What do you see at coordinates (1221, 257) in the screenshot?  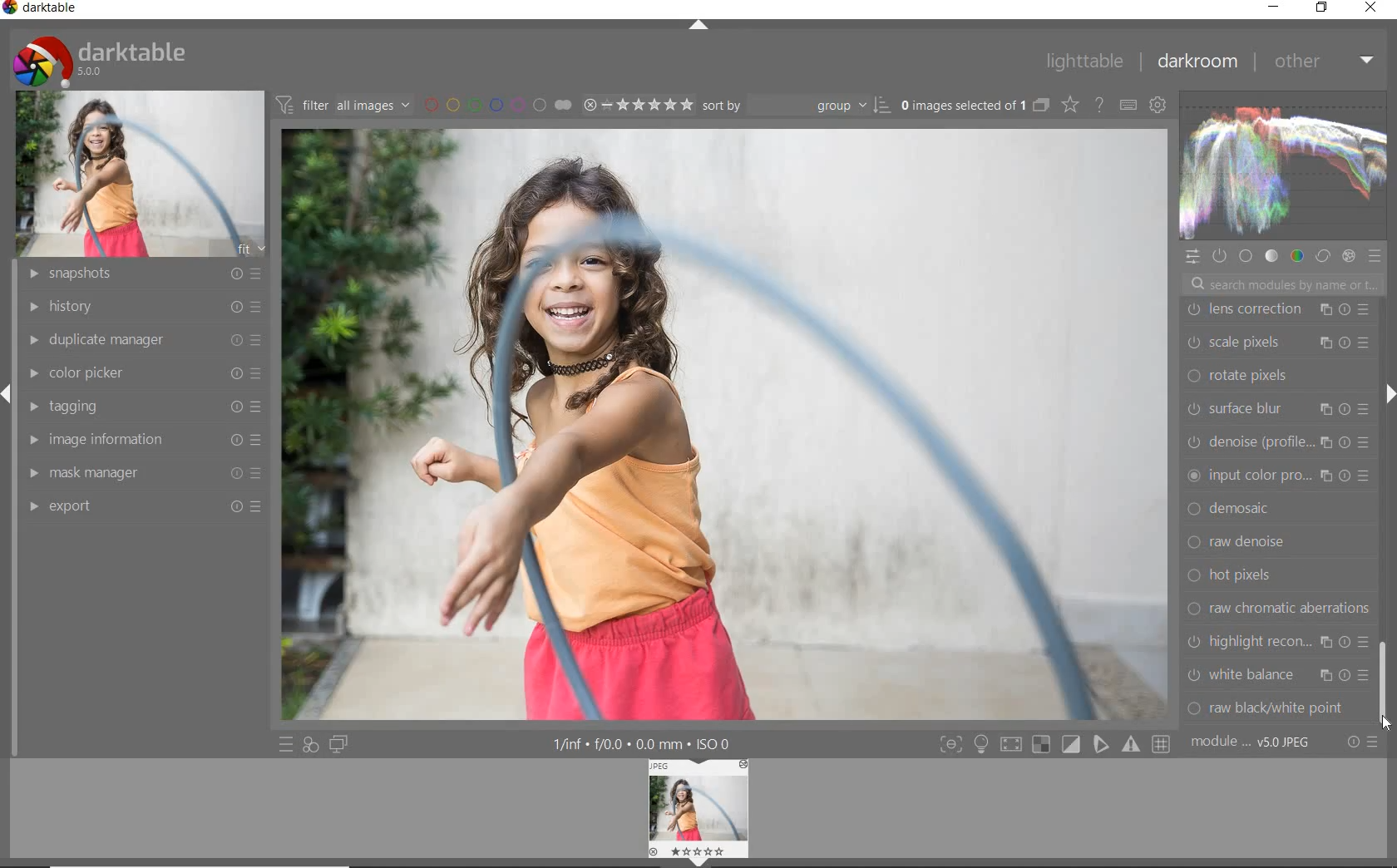 I see `show only active module` at bounding box center [1221, 257].